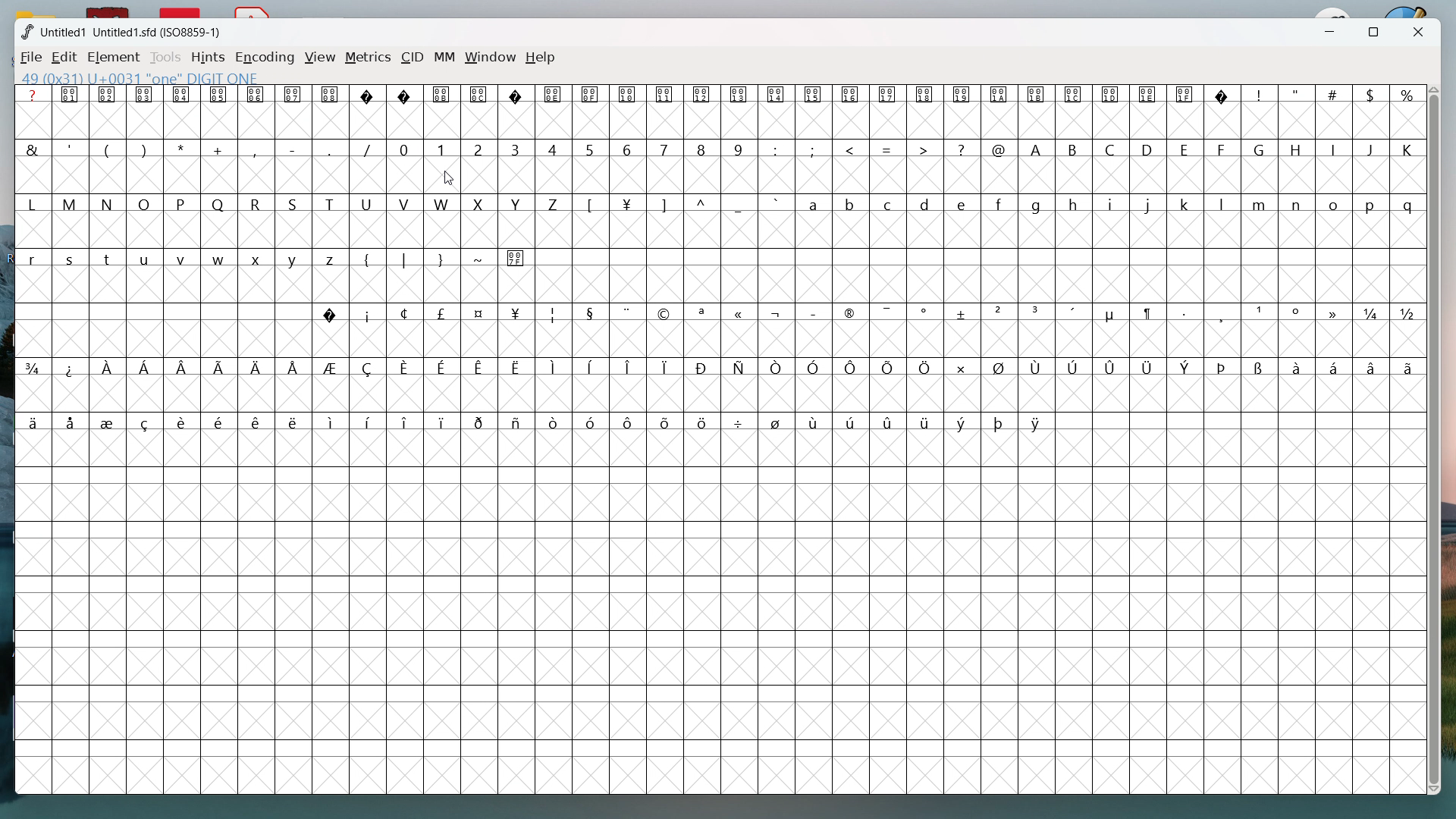 The width and height of the screenshot is (1456, 819). What do you see at coordinates (554, 149) in the screenshot?
I see `4` at bounding box center [554, 149].